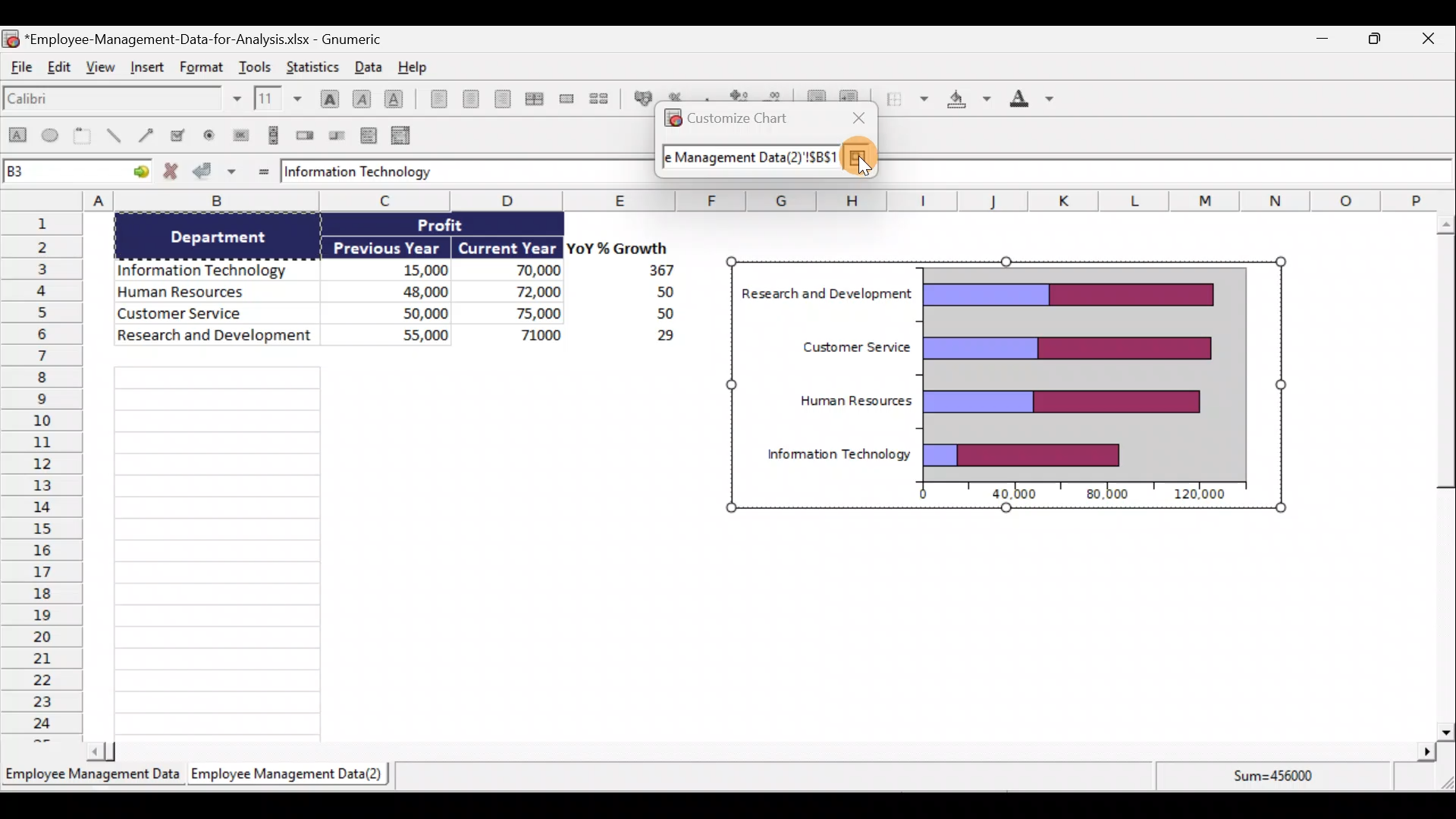 The height and width of the screenshot is (819, 1456). Describe the element at coordinates (149, 133) in the screenshot. I see `Create an arrow object` at that location.